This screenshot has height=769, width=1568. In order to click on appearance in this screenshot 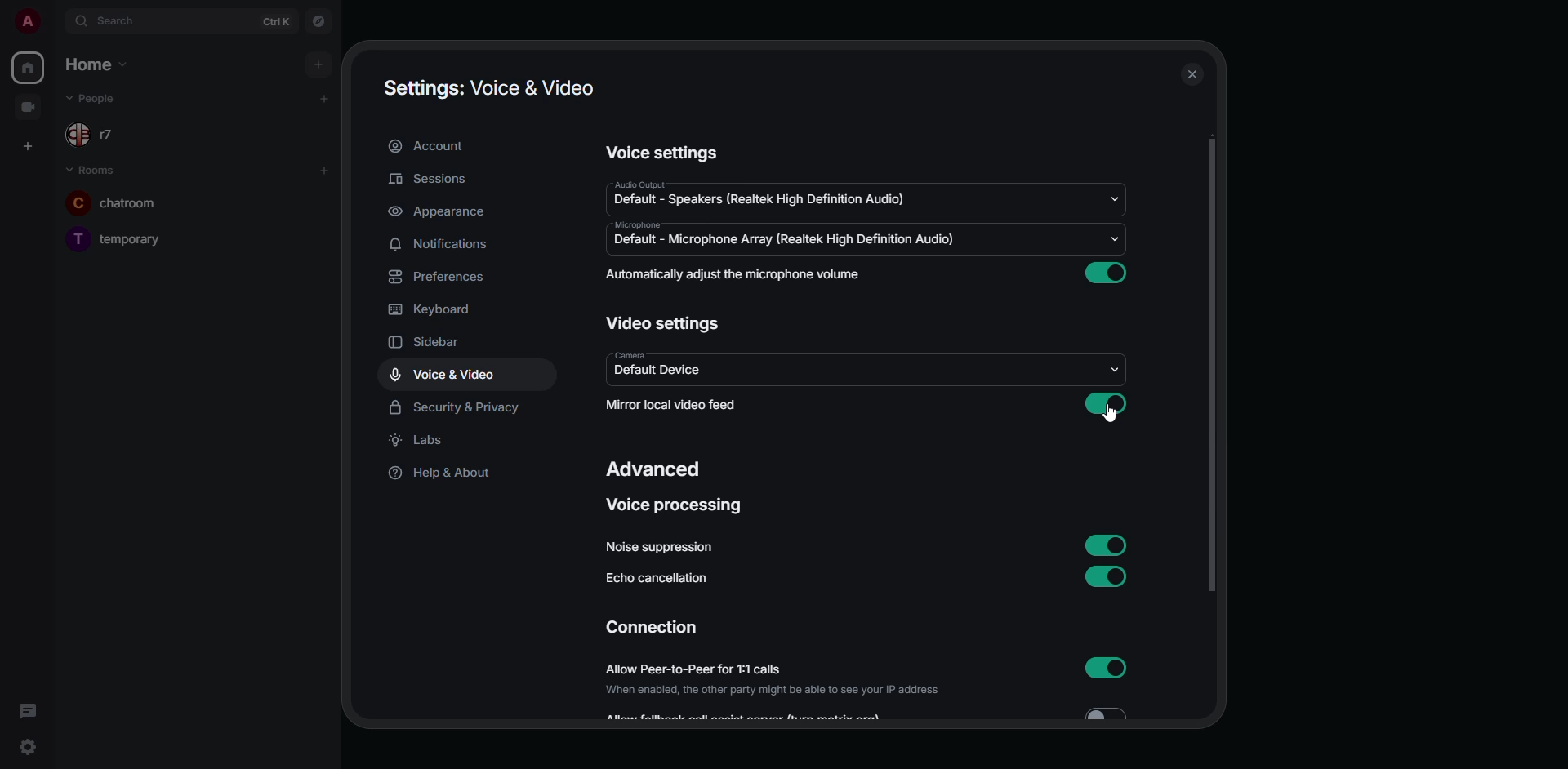, I will do `click(439, 213)`.